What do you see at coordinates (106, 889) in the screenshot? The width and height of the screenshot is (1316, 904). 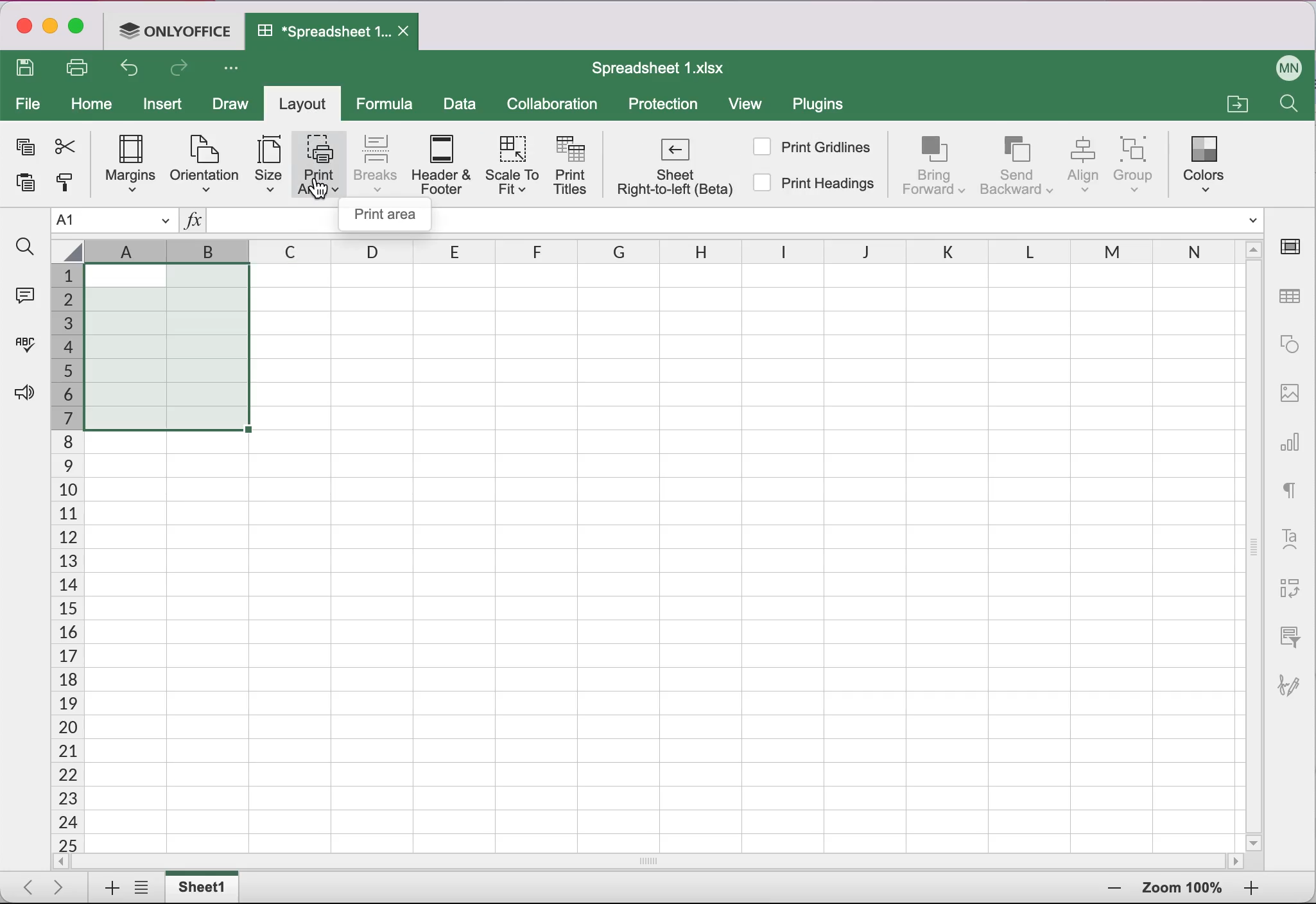 I see `add sheet` at bounding box center [106, 889].